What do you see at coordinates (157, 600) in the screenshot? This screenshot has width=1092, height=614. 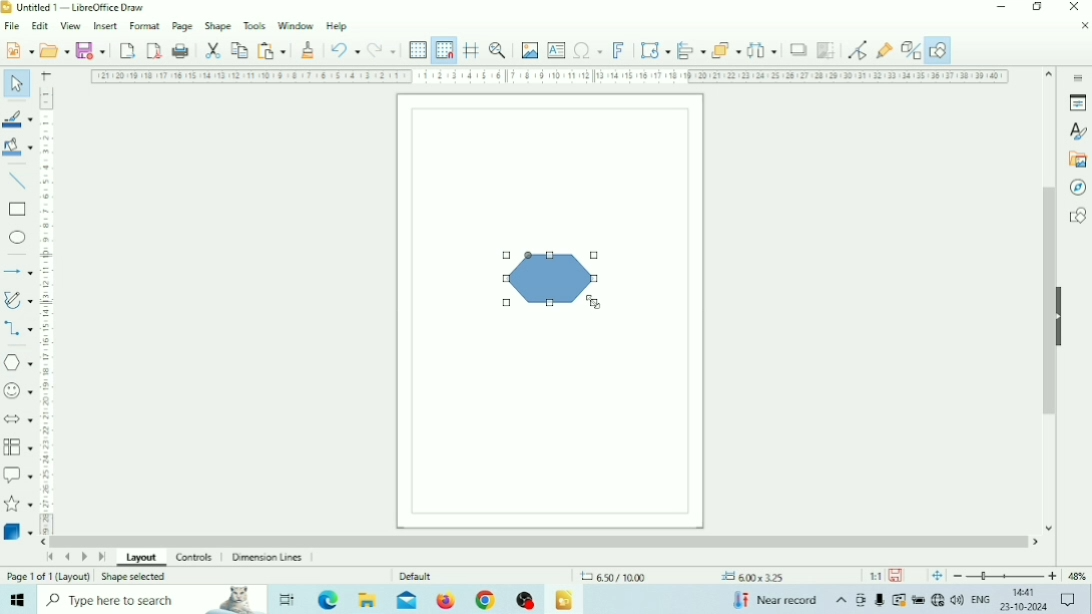 I see `Type here to search` at bounding box center [157, 600].